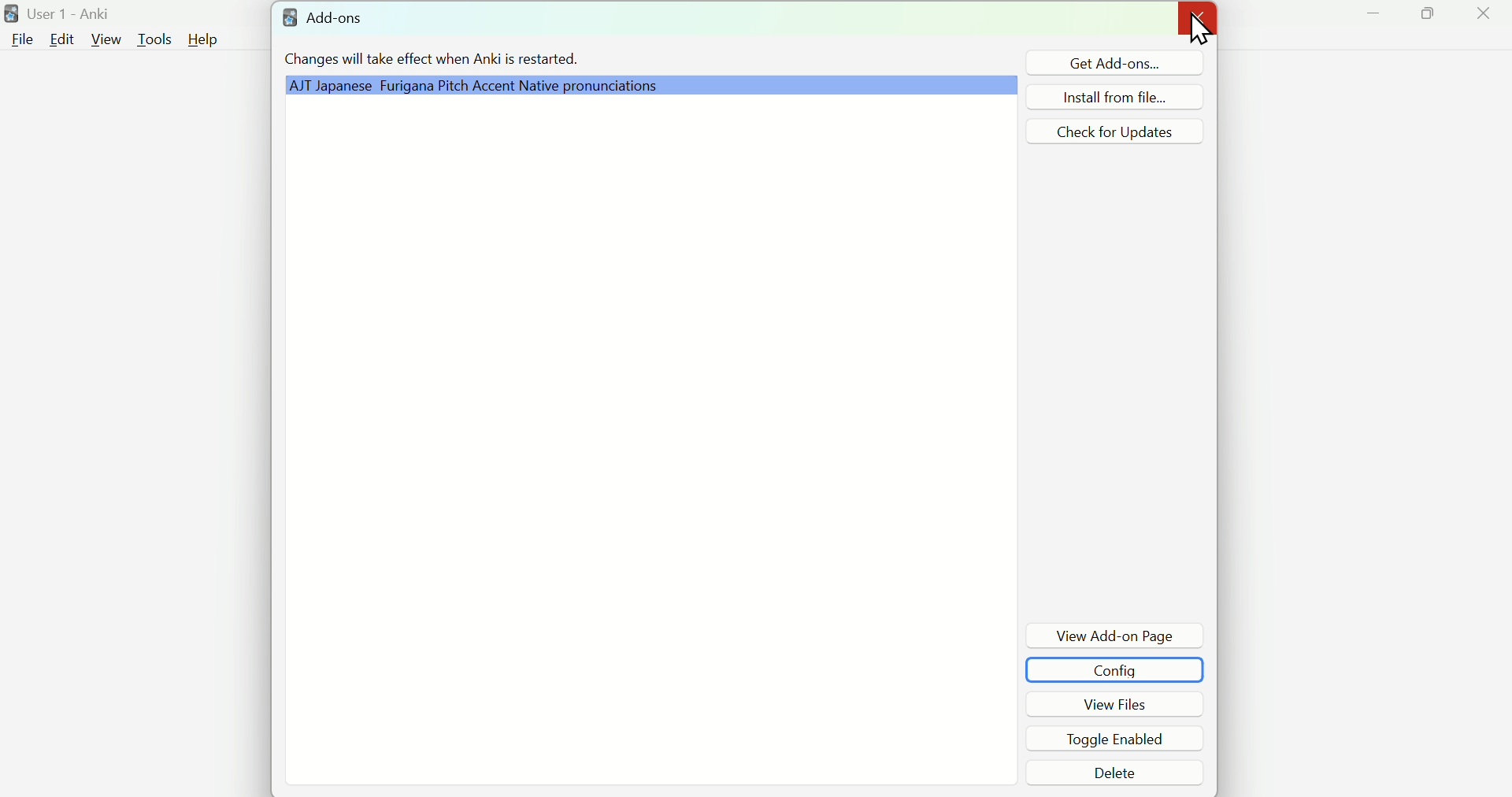 The width and height of the screenshot is (1512, 797). I want to click on Close, so click(1489, 20).